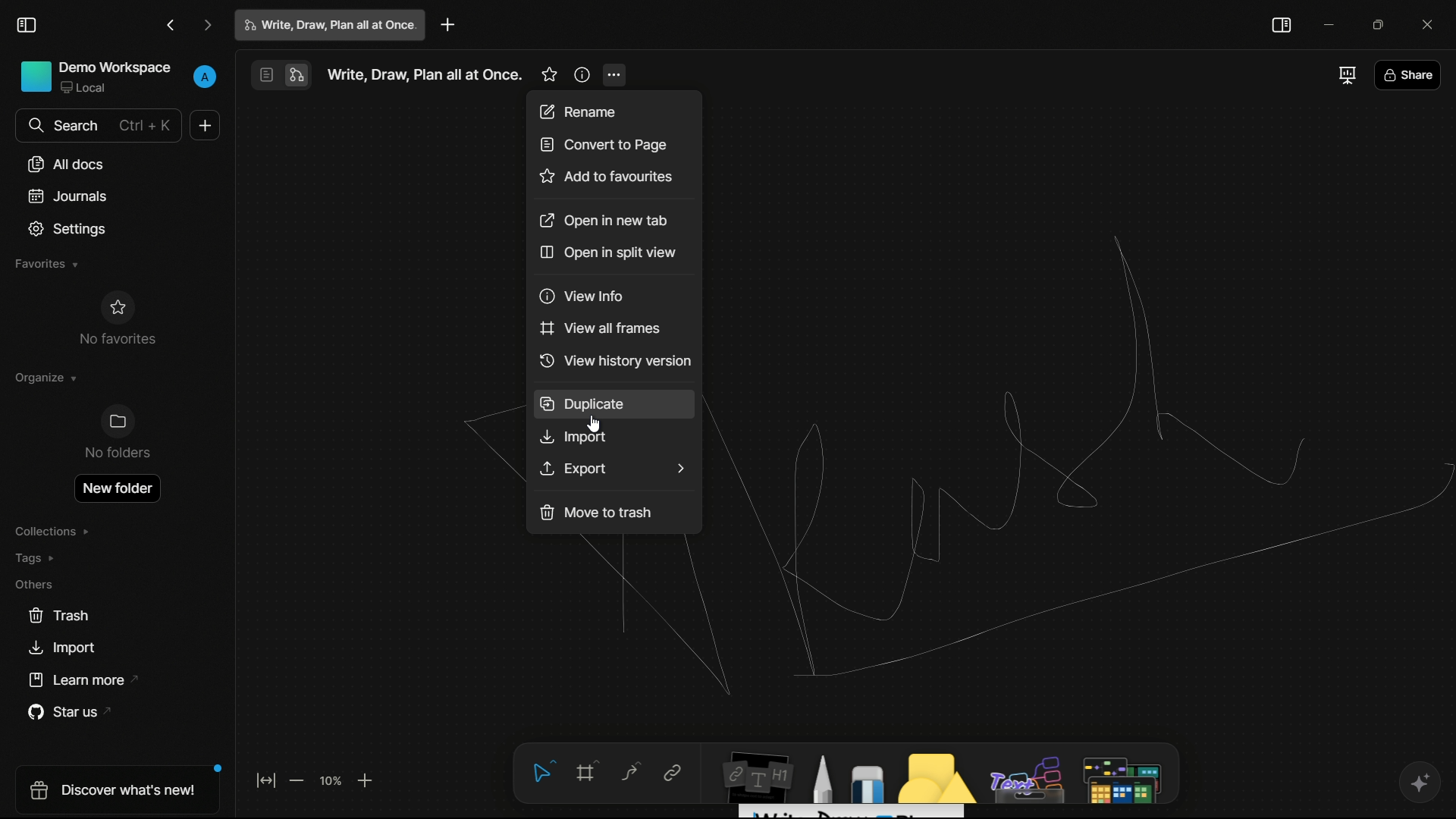  I want to click on Icon, so click(119, 422).